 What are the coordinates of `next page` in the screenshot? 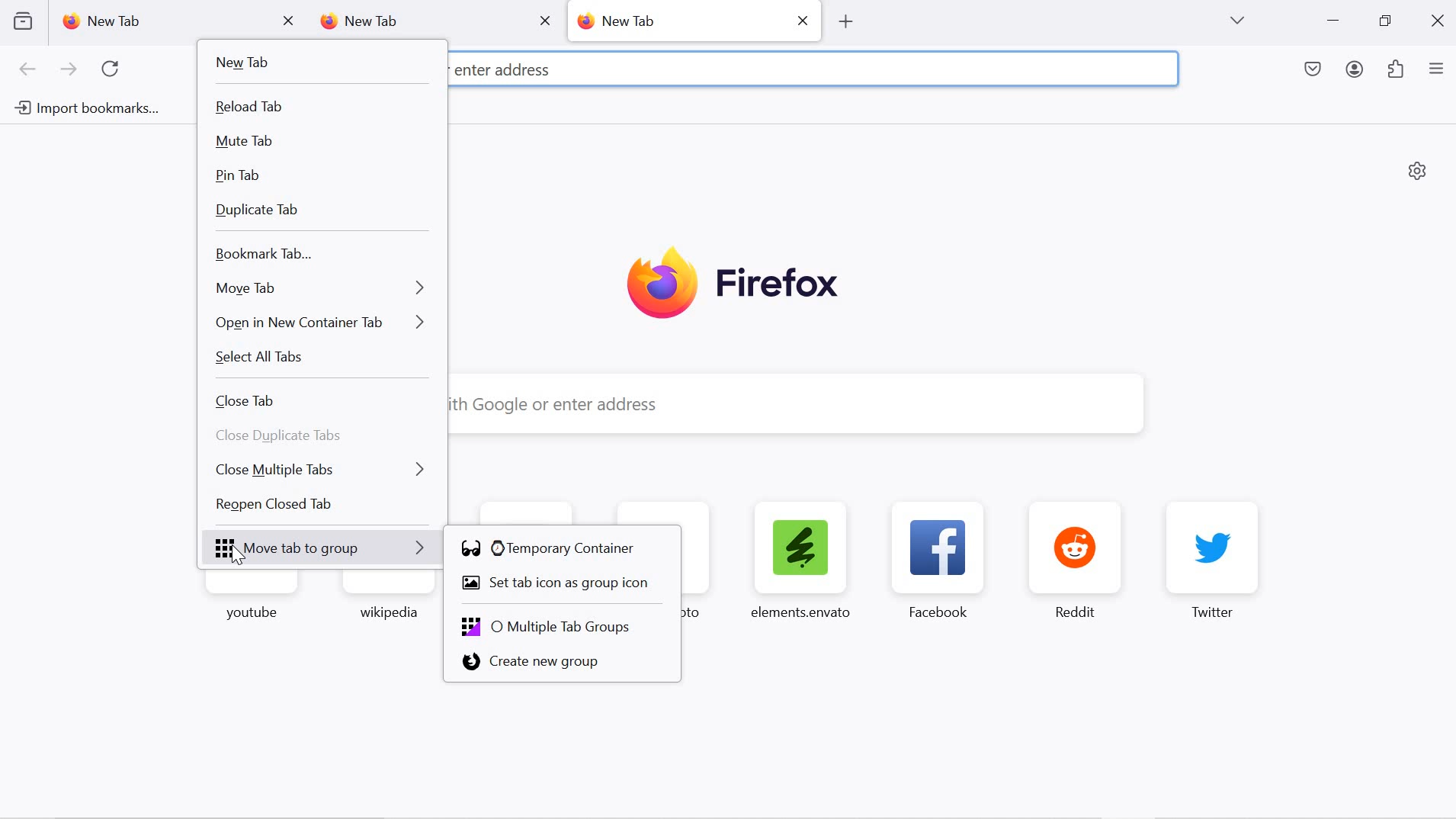 It's located at (69, 71).